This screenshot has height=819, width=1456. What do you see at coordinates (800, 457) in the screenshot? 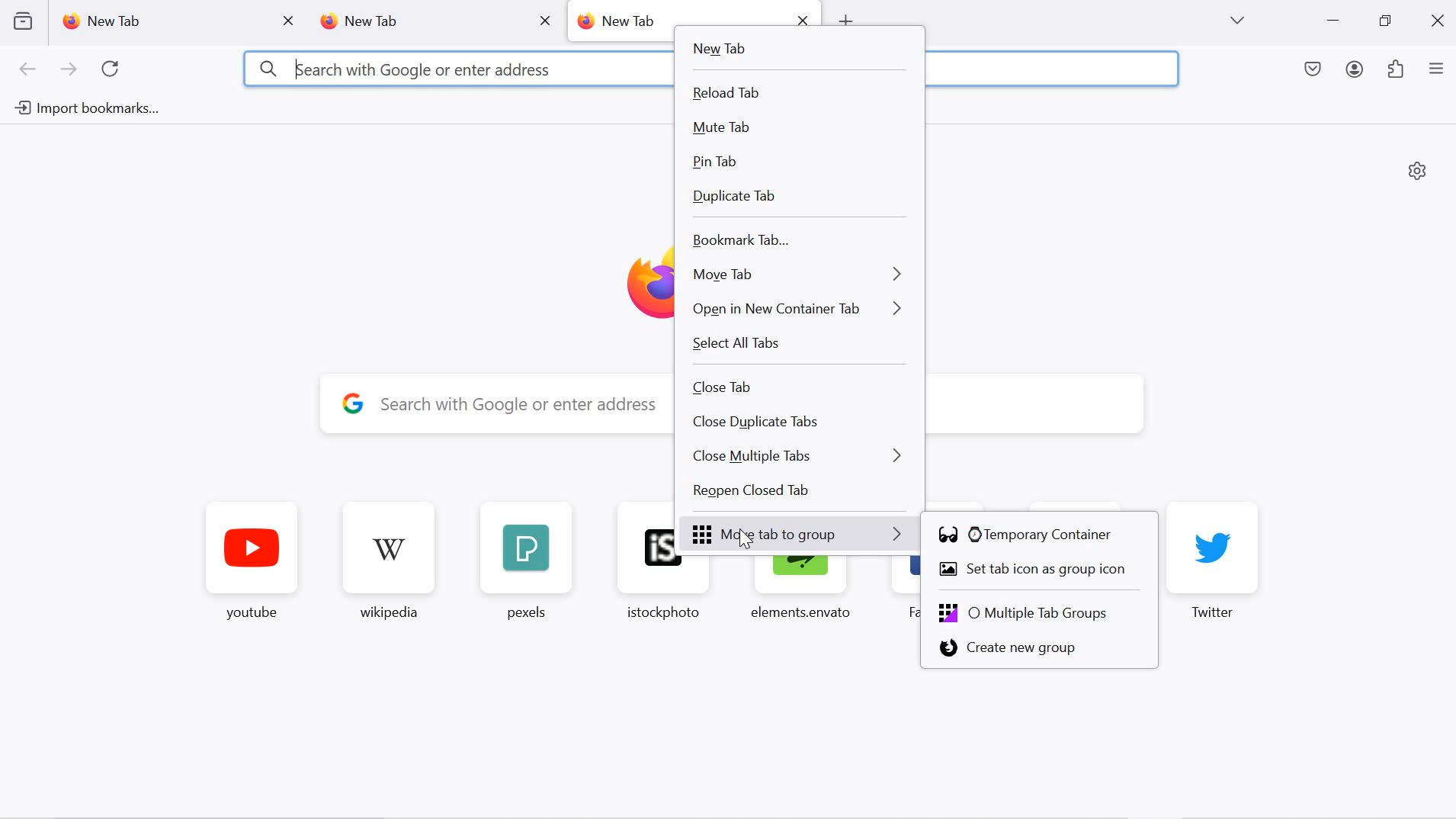
I see `close multiple tabs` at bounding box center [800, 457].